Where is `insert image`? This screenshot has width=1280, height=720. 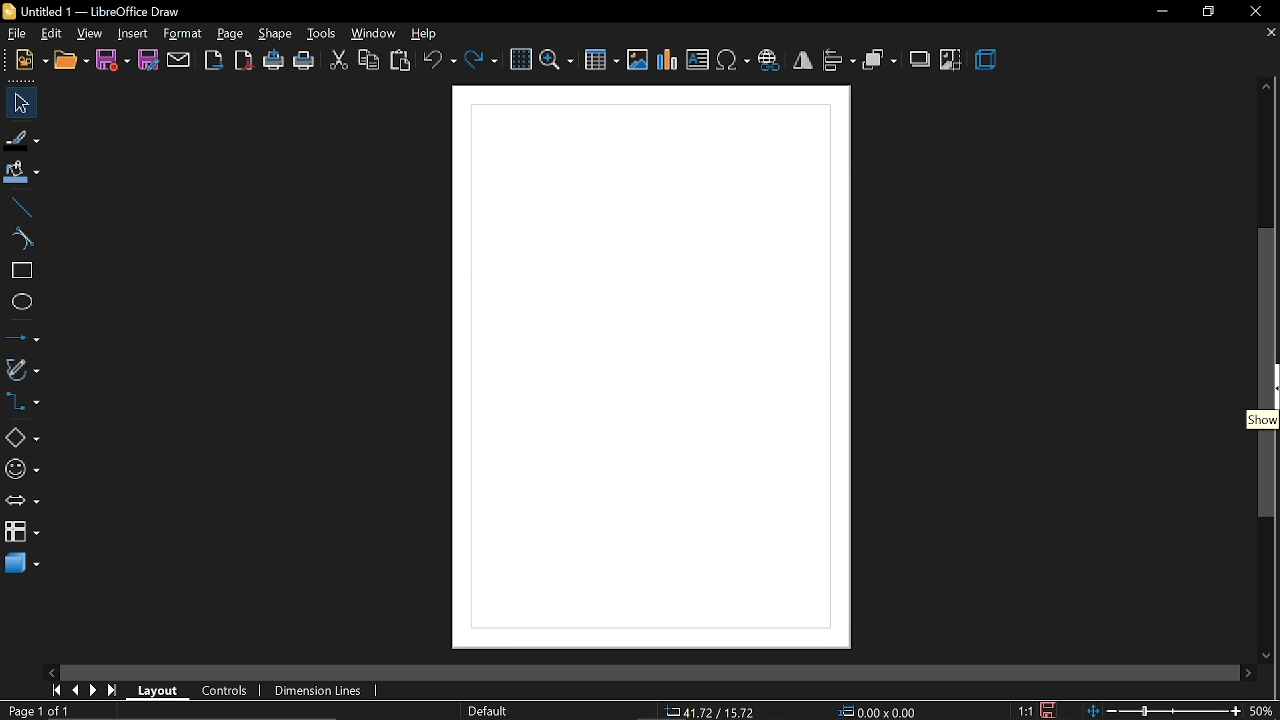
insert image is located at coordinates (638, 60).